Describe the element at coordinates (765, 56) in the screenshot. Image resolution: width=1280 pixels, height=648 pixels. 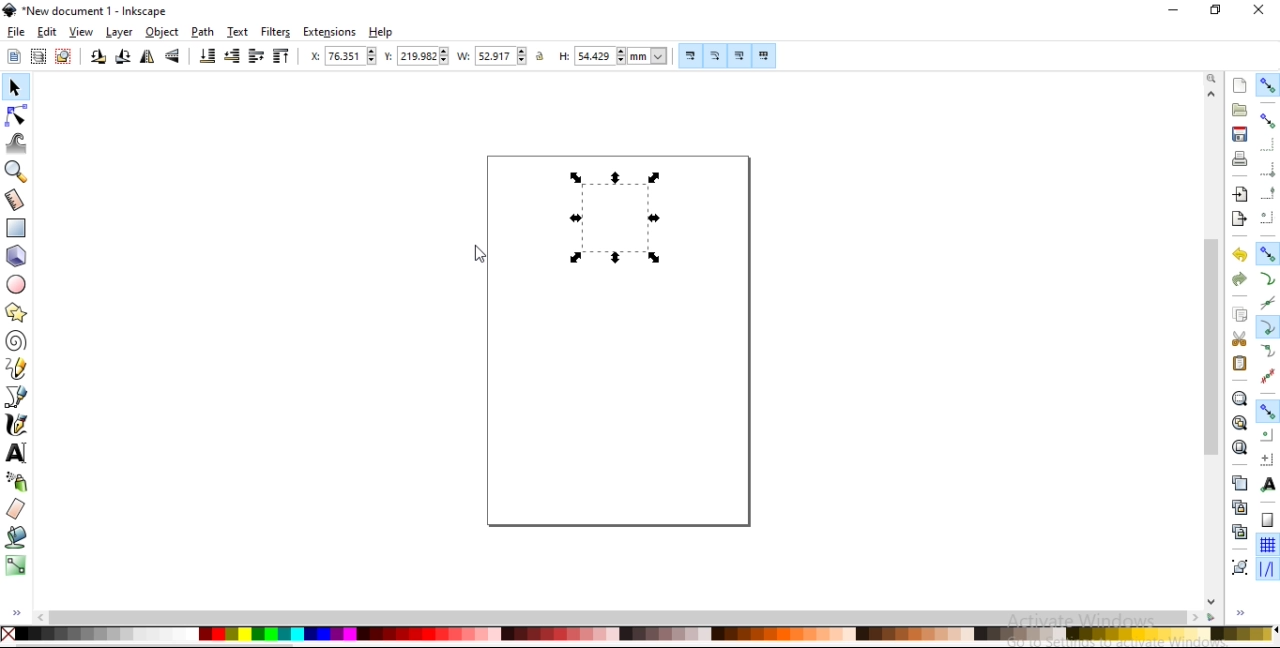
I see `move patterns along with object` at that location.